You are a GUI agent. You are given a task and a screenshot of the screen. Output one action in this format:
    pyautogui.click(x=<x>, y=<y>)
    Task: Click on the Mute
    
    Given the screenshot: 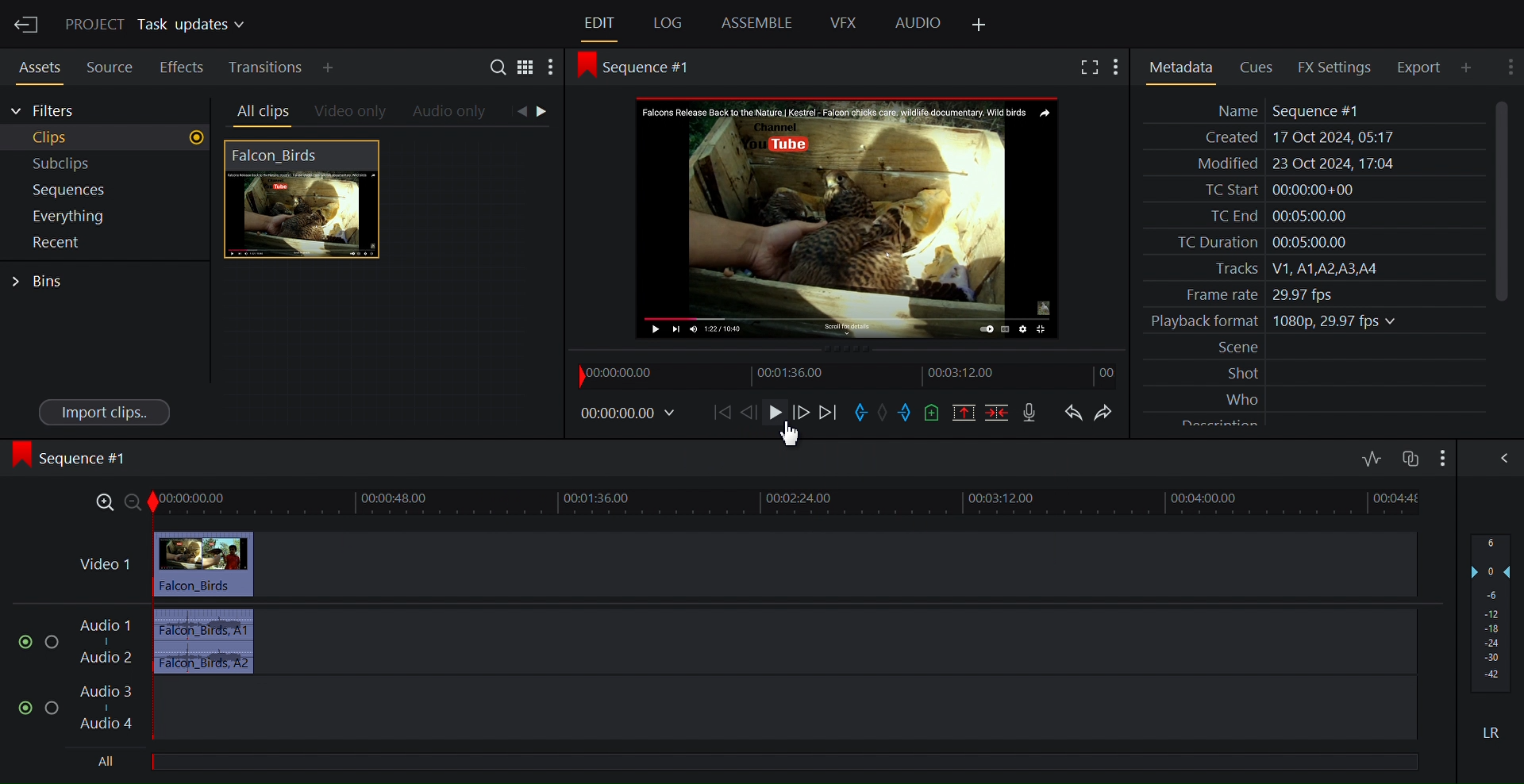 What is the action you would take?
    pyautogui.click(x=1493, y=732)
    